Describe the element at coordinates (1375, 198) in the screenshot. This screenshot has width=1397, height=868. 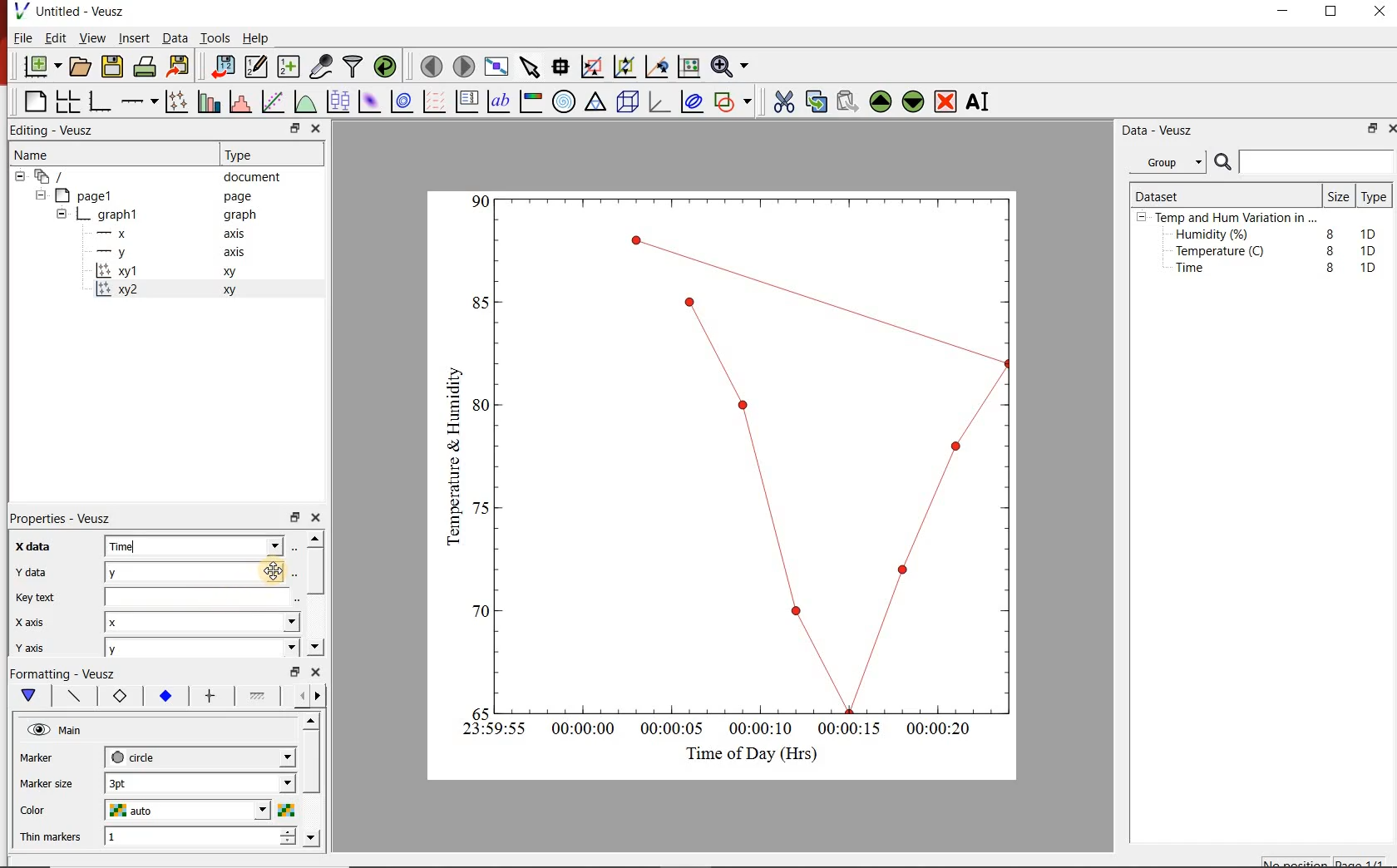
I see `Type` at that location.